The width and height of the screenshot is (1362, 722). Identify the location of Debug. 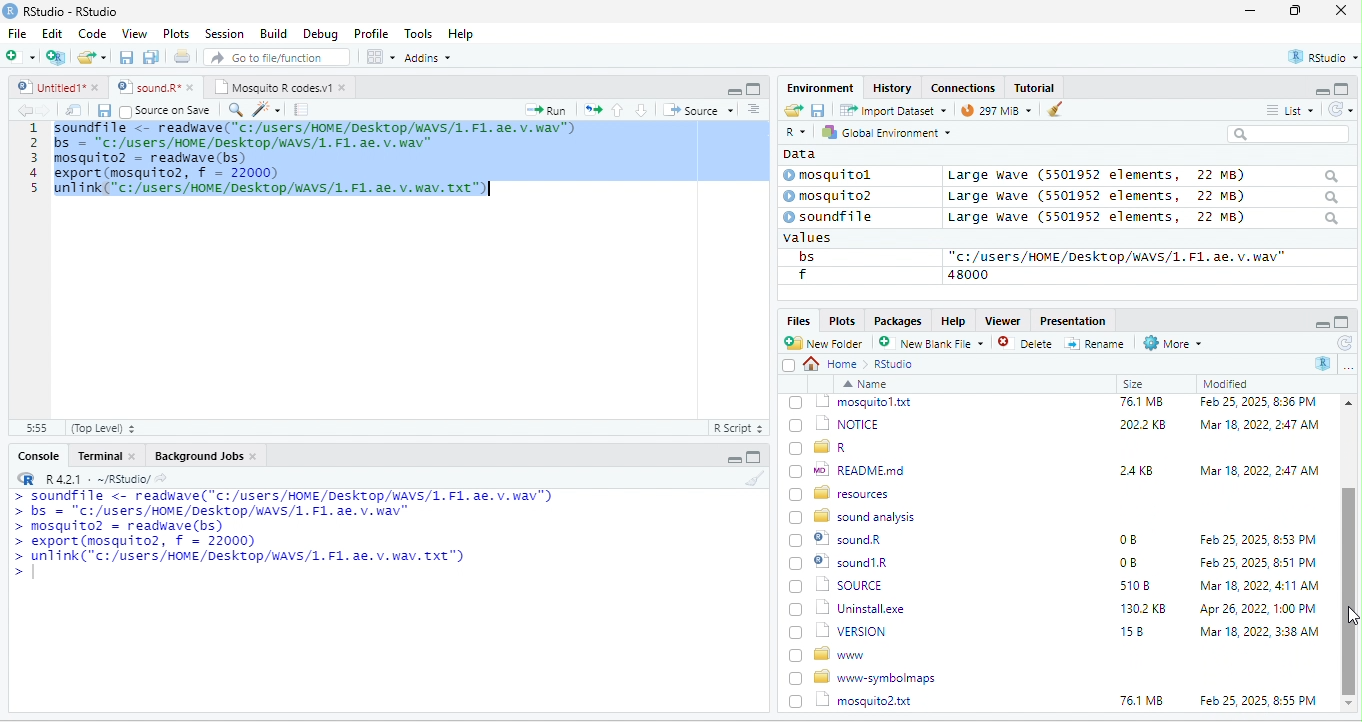
(320, 33).